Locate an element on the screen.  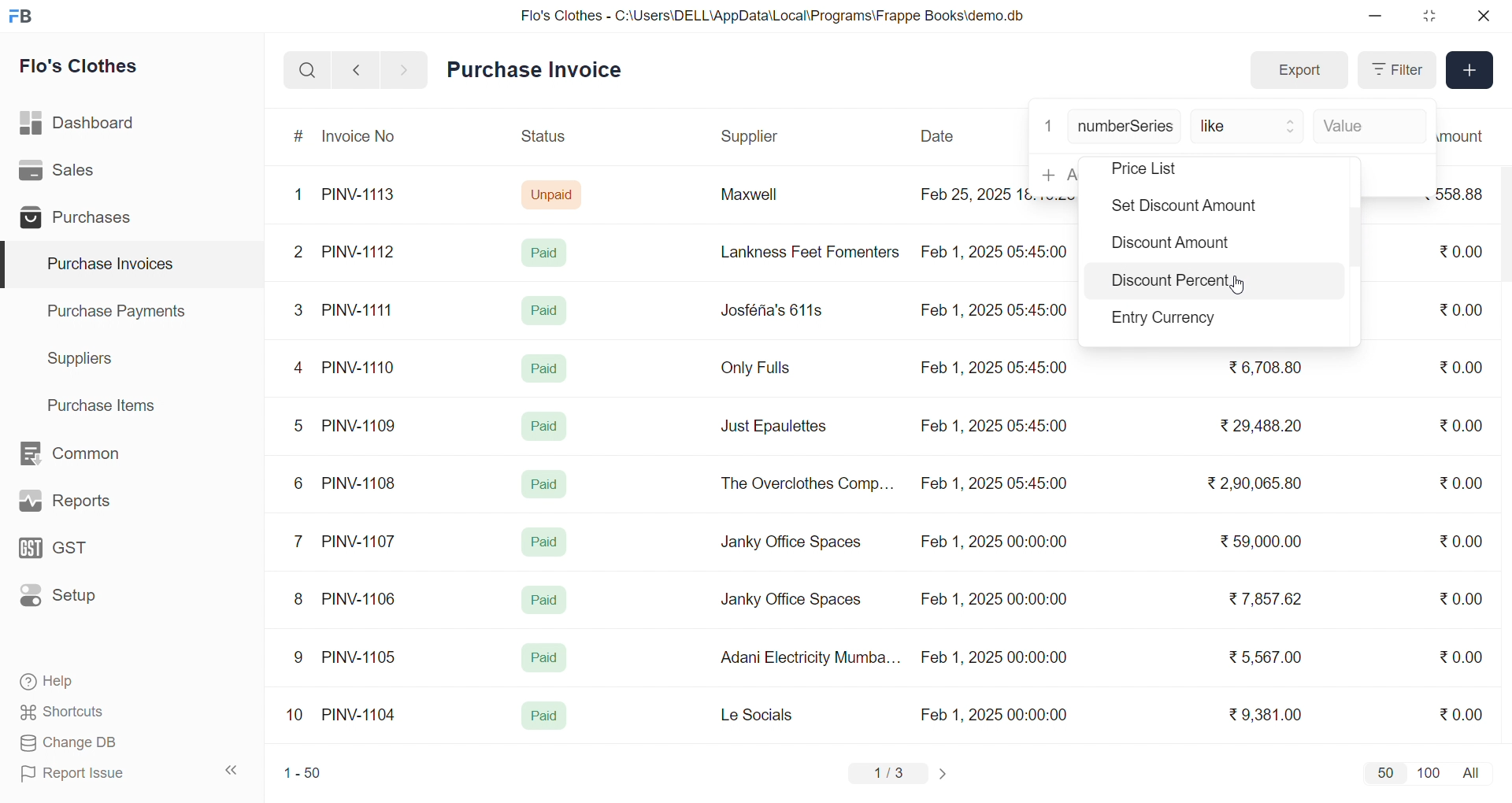
50 is located at coordinates (1384, 772).